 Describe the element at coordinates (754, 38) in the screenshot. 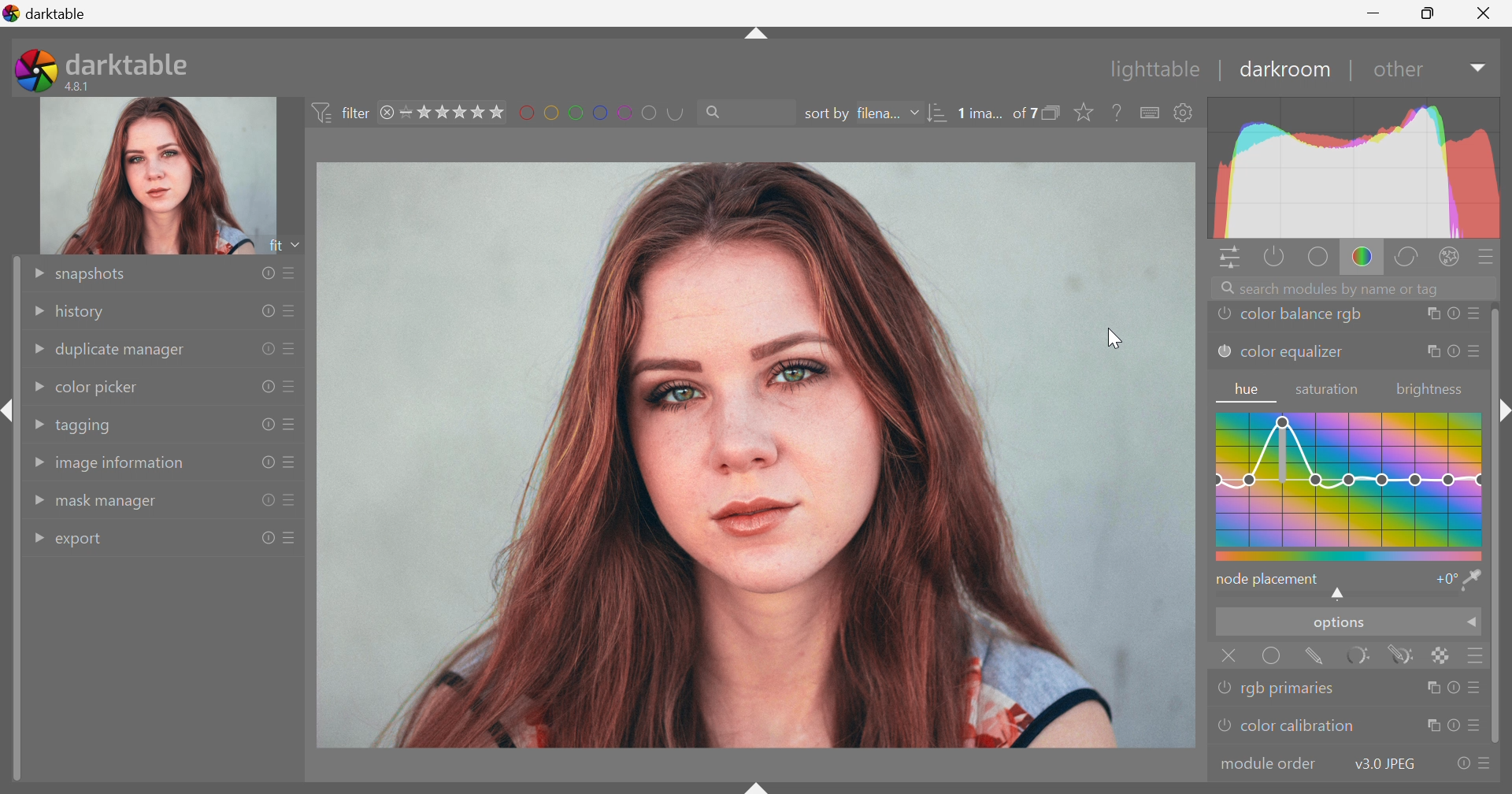

I see `shift+ctrl+t` at that location.